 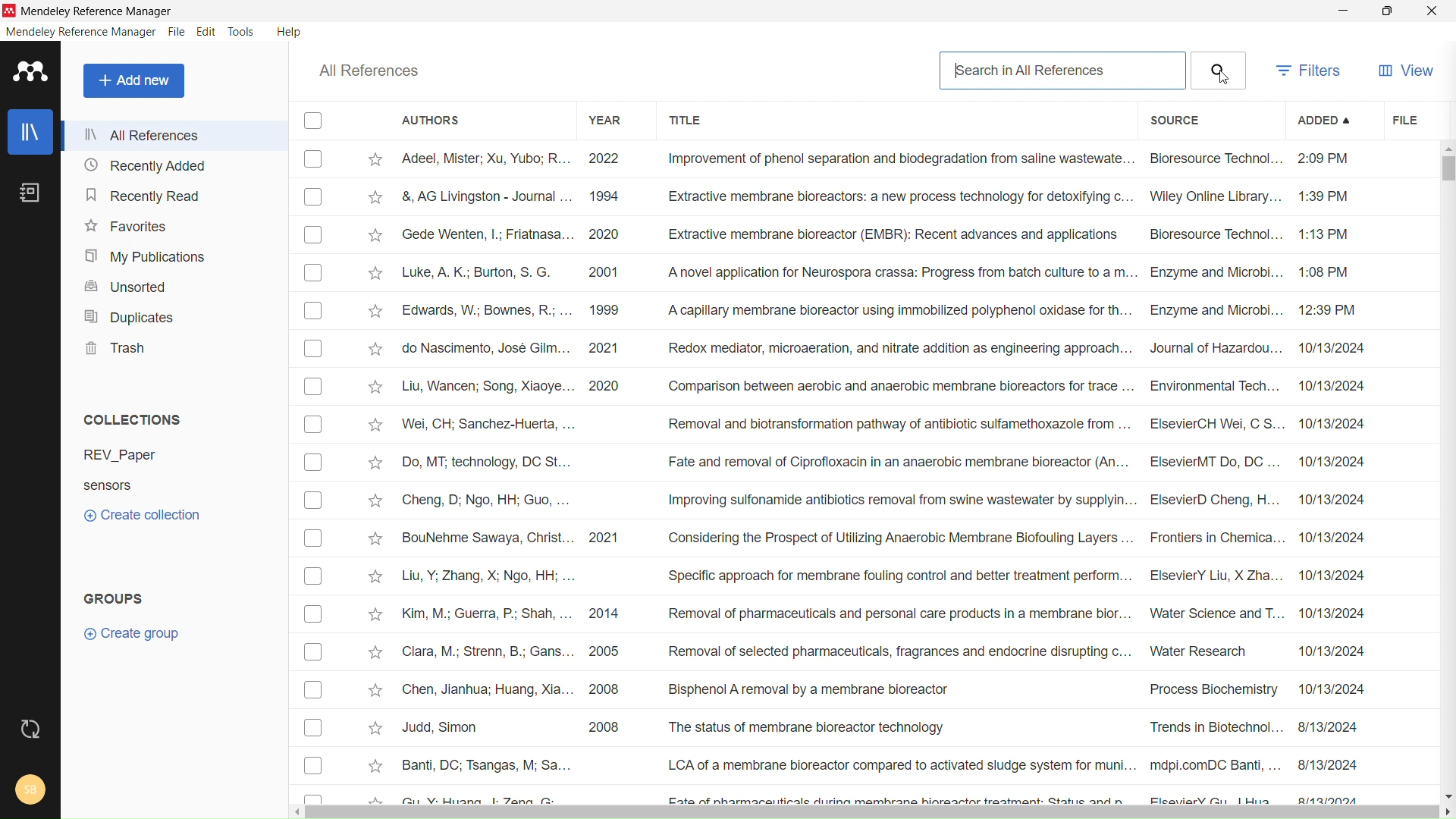 I want to click on file, so click(x=176, y=32).